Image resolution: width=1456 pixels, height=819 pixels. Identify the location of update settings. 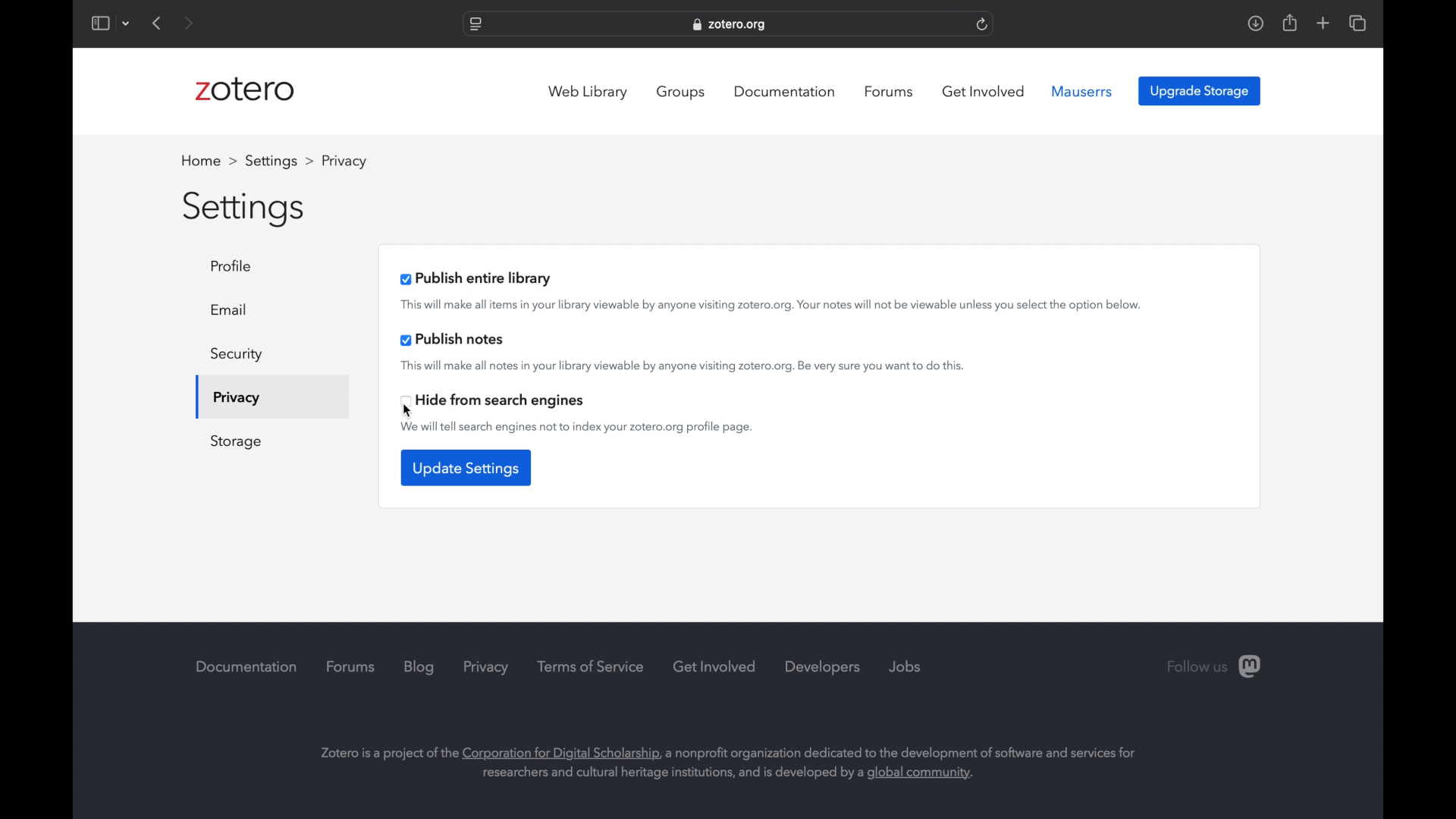
(467, 466).